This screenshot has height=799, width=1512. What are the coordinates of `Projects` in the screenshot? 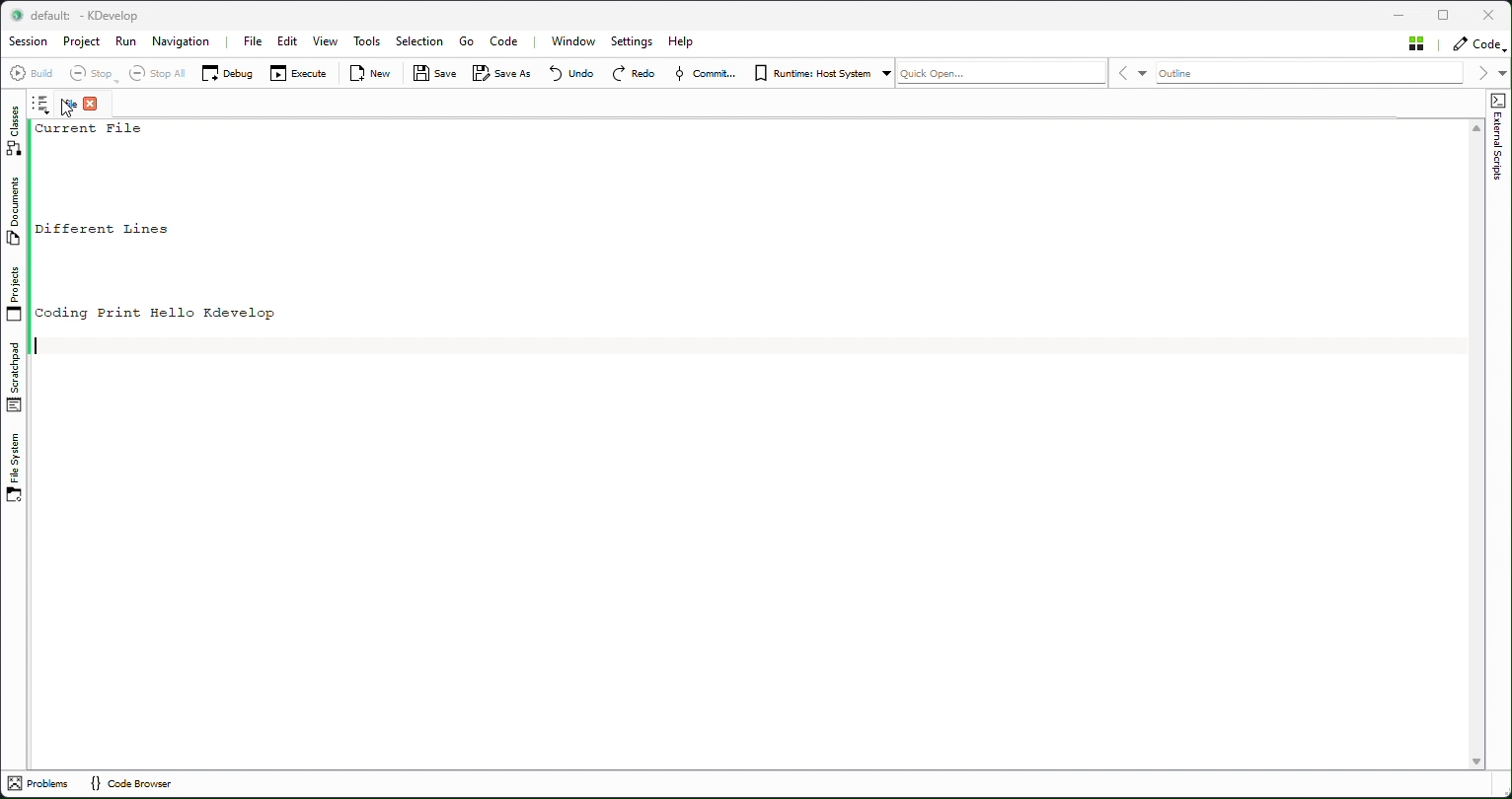 It's located at (15, 295).